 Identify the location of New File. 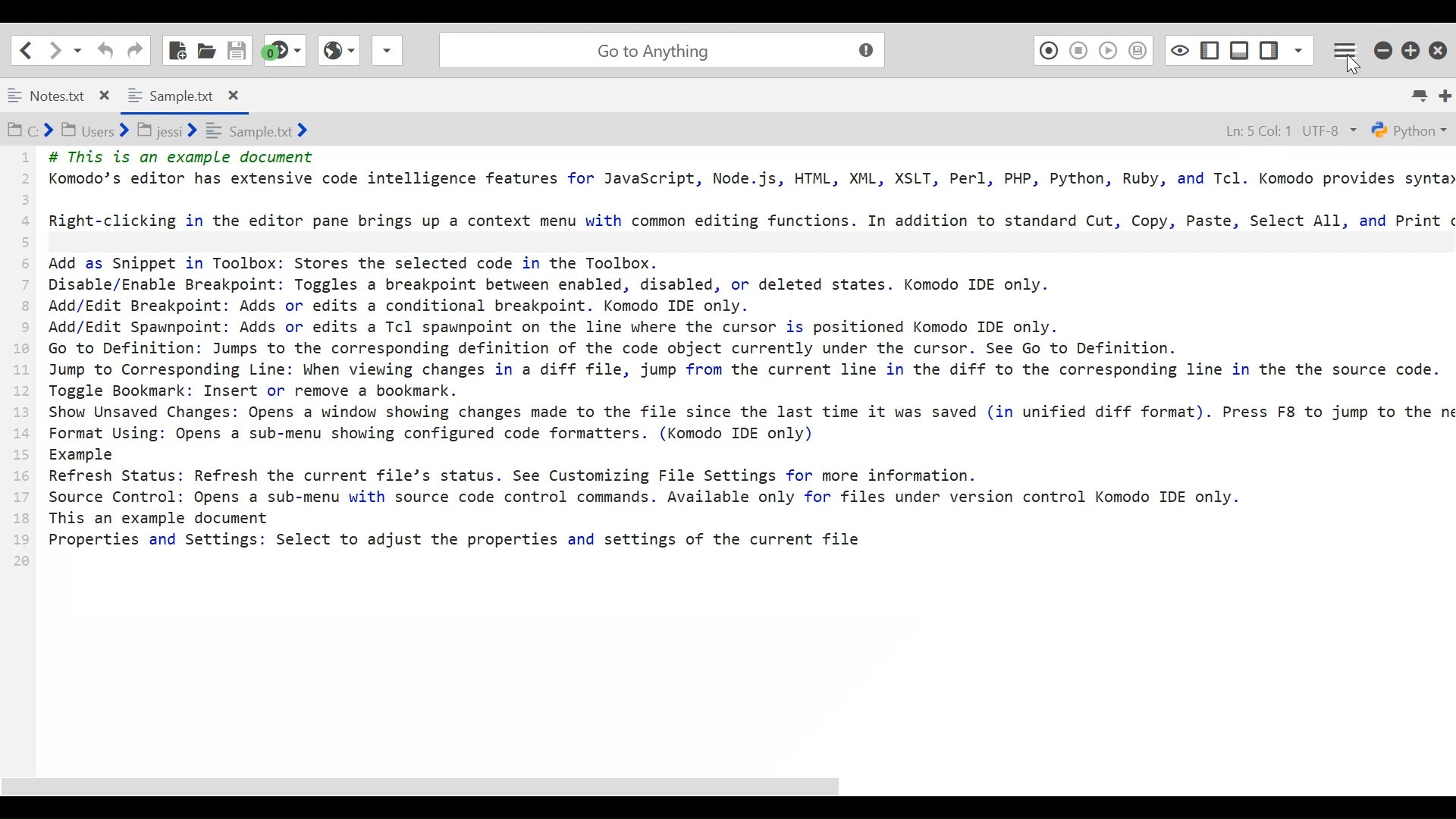
(176, 48).